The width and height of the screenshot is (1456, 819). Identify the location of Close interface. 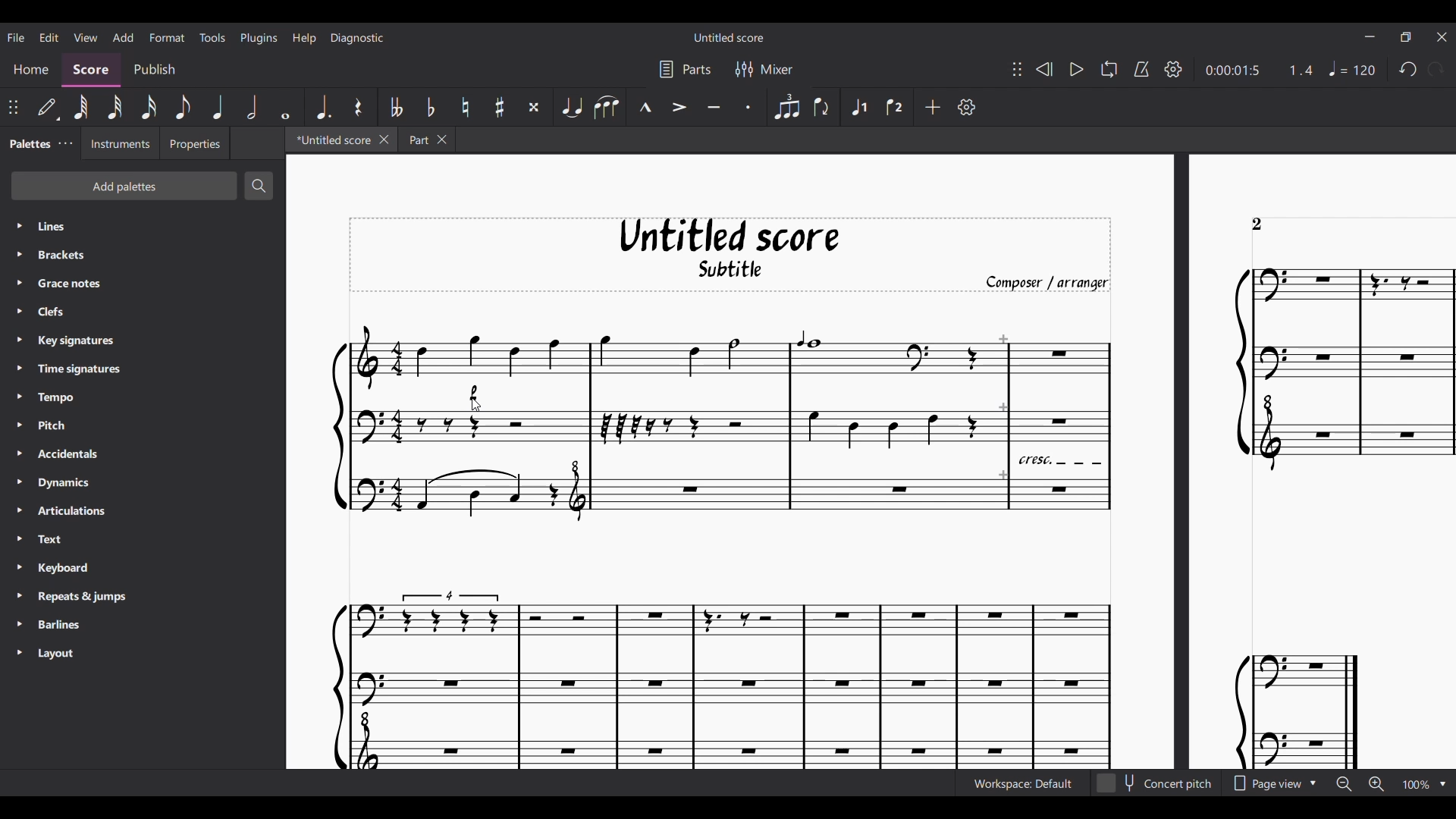
(1442, 37).